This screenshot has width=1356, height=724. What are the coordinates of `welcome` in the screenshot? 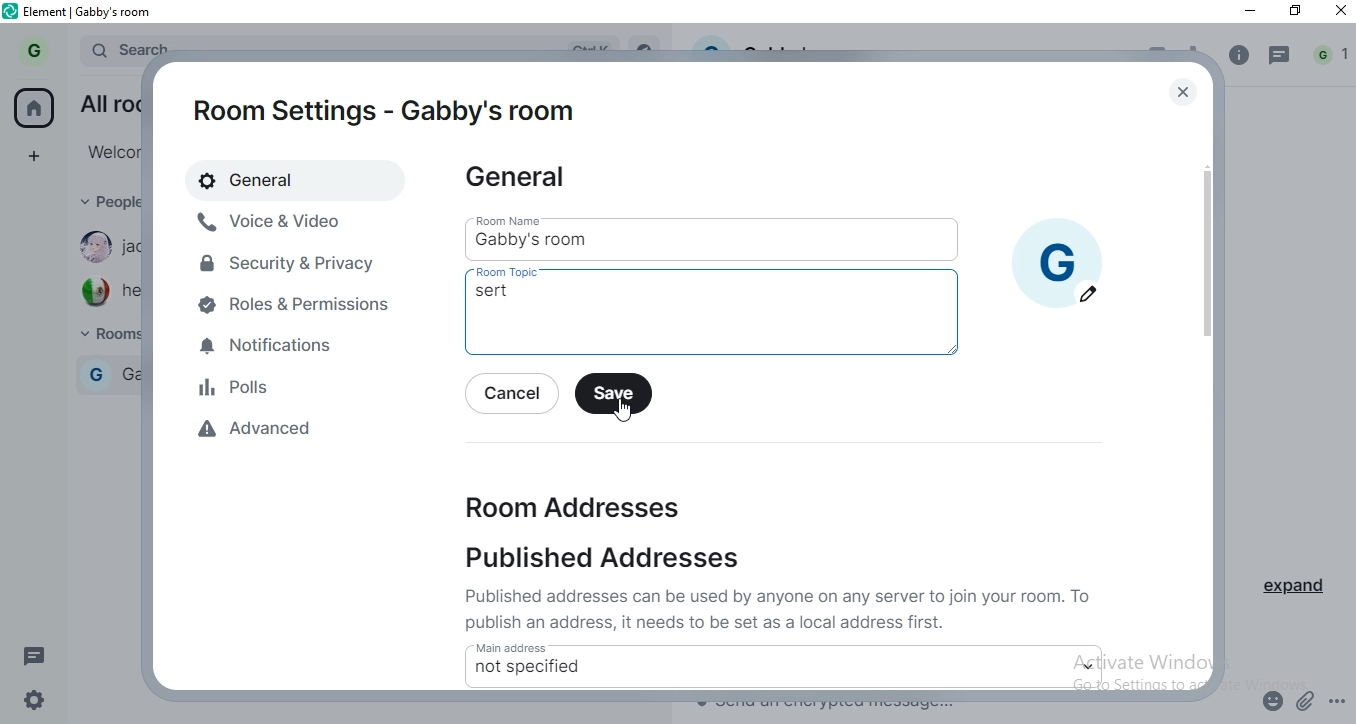 It's located at (108, 151).